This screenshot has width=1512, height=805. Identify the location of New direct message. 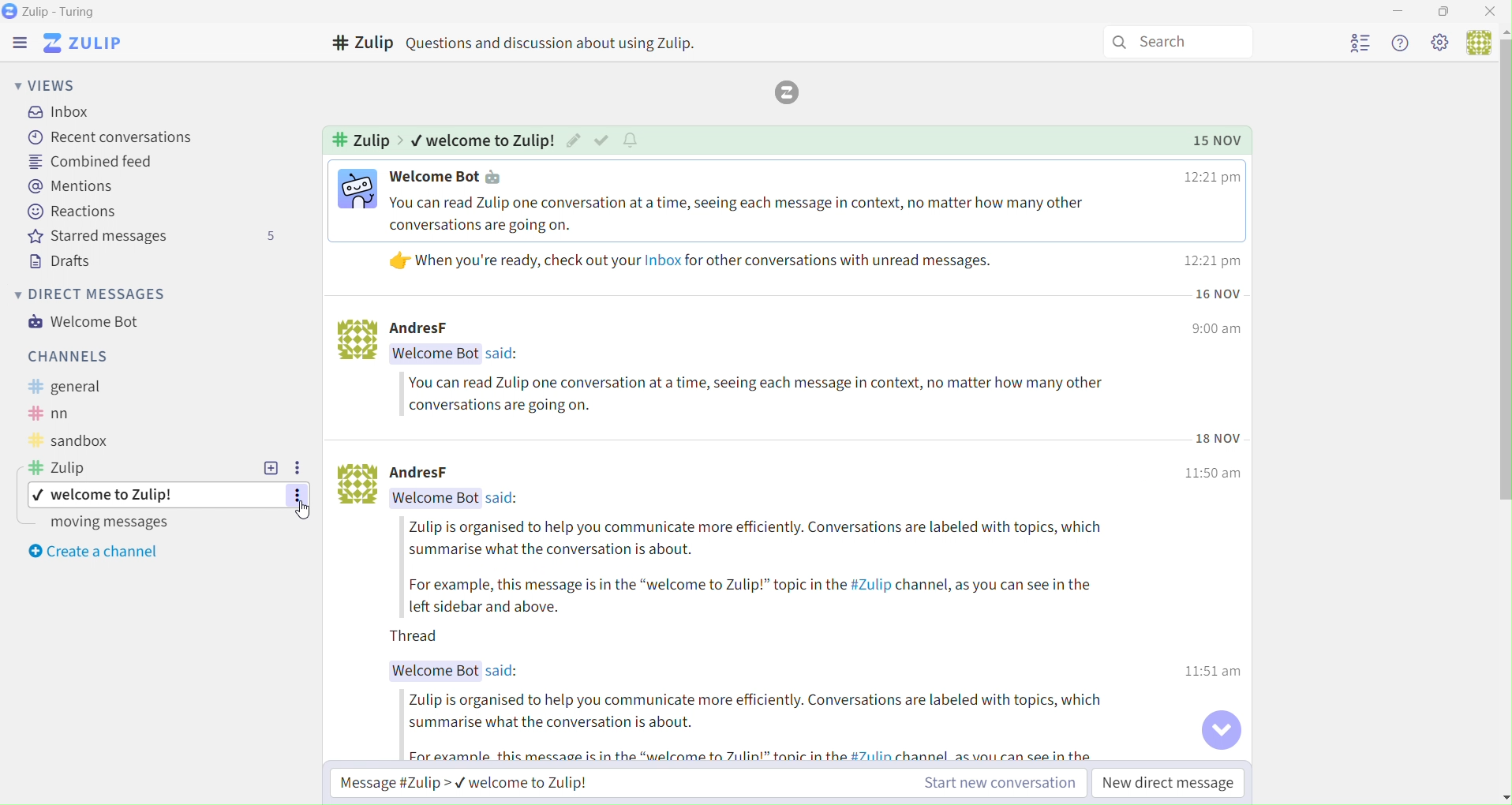
(1169, 783).